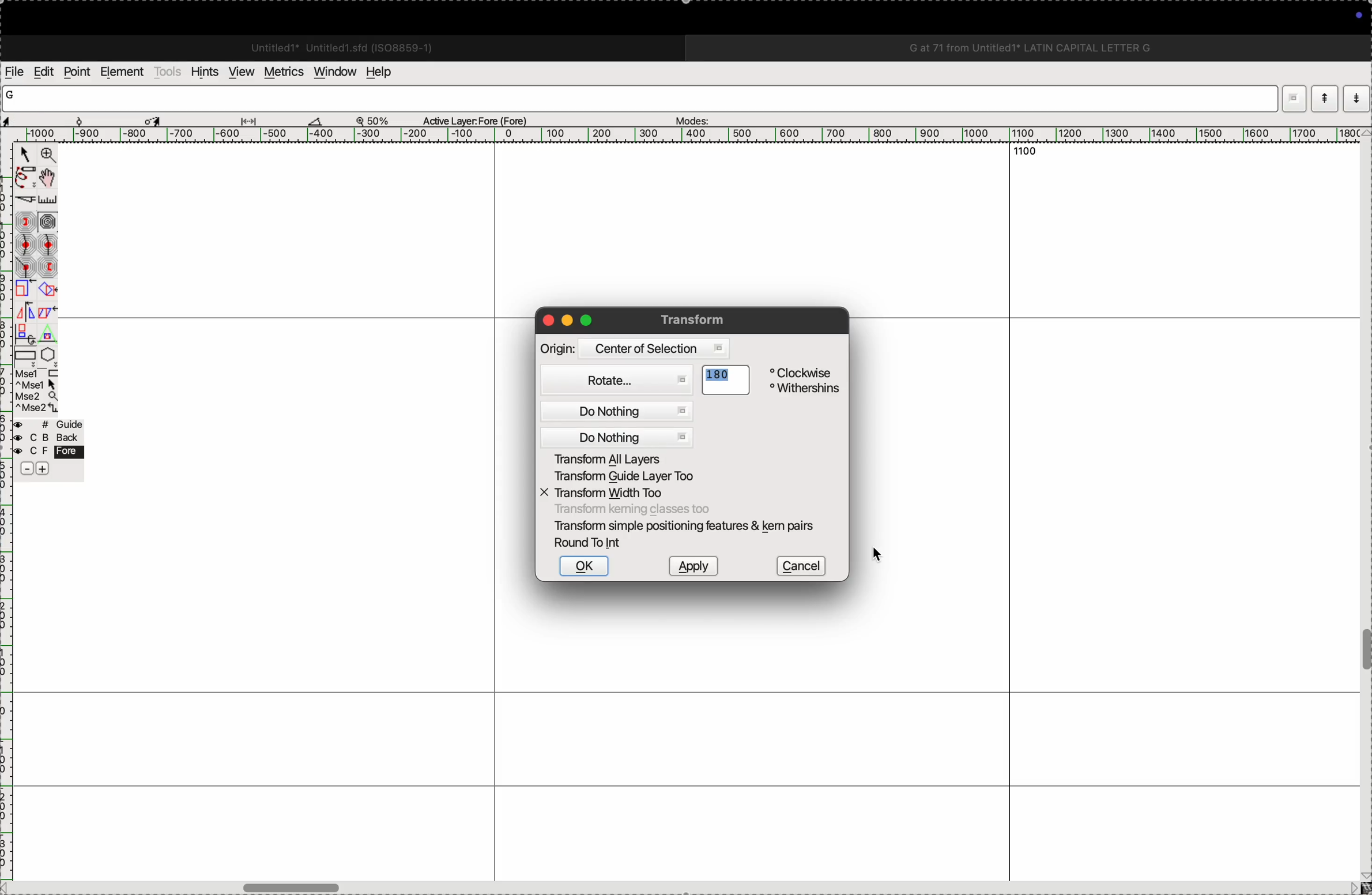 The height and width of the screenshot is (895, 1372). Describe the element at coordinates (49, 354) in the screenshot. I see `polygon/star` at that location.